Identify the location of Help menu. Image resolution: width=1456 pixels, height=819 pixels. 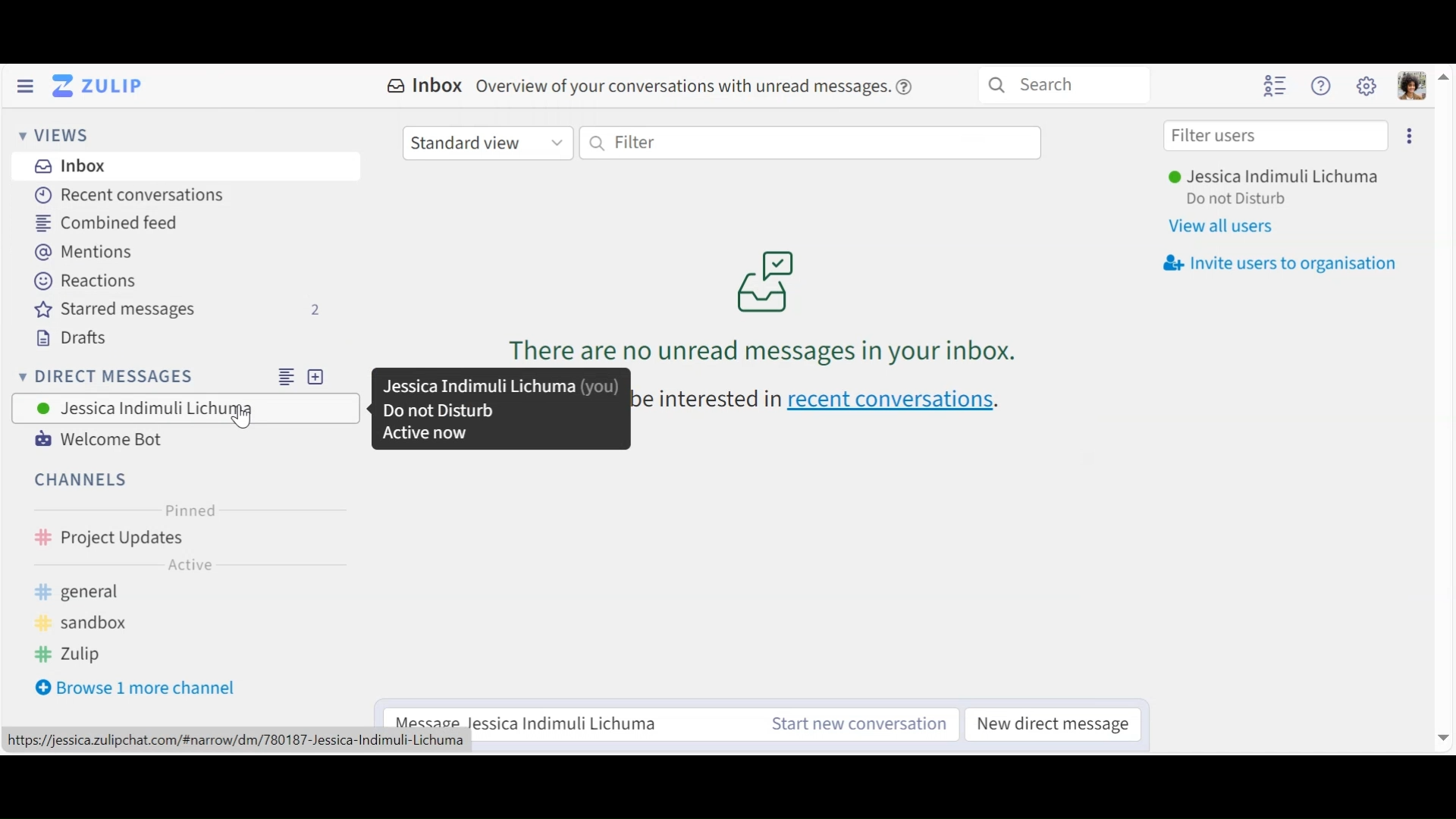
(1323, 86).